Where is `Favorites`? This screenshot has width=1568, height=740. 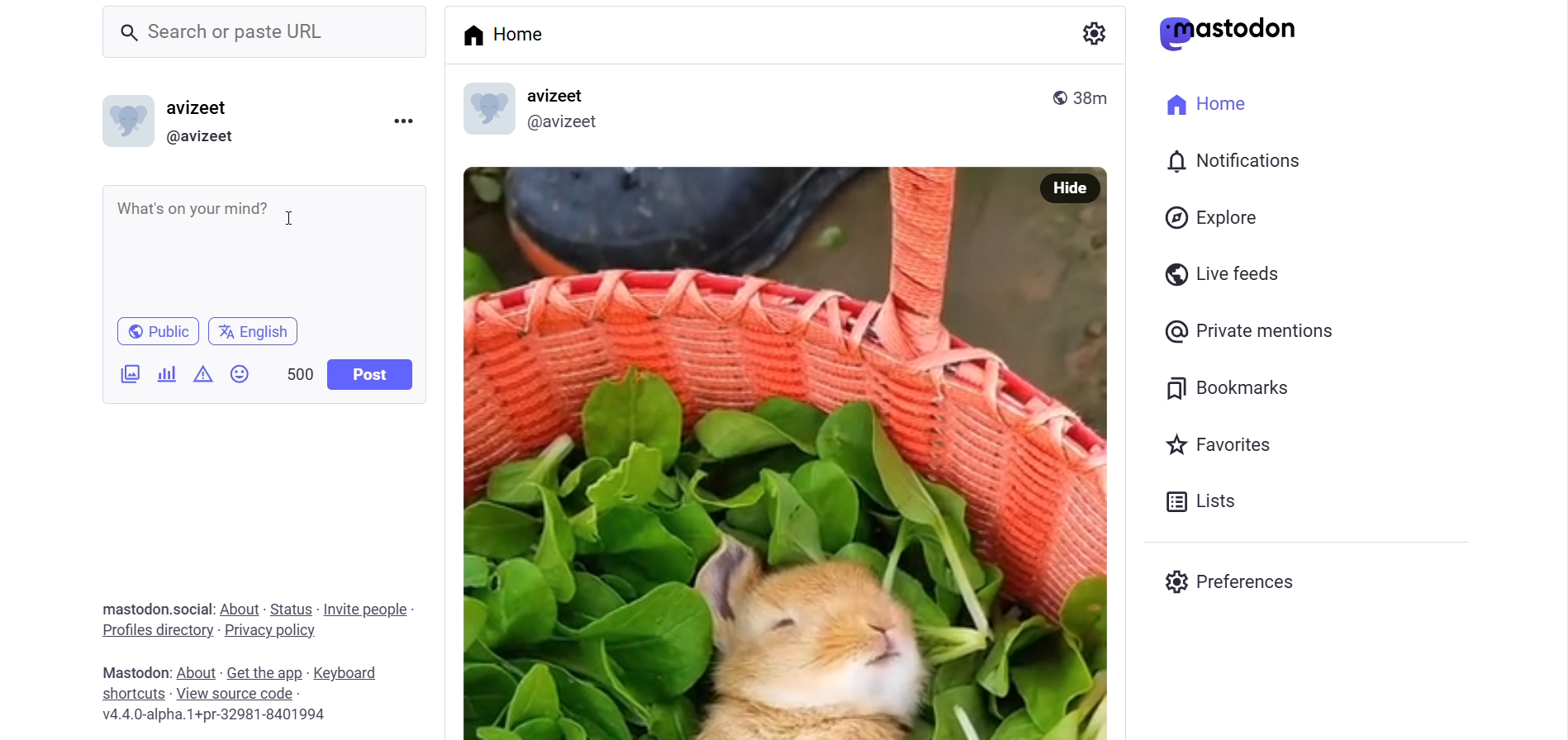 Favorites is located at coordinates (1221, 443).